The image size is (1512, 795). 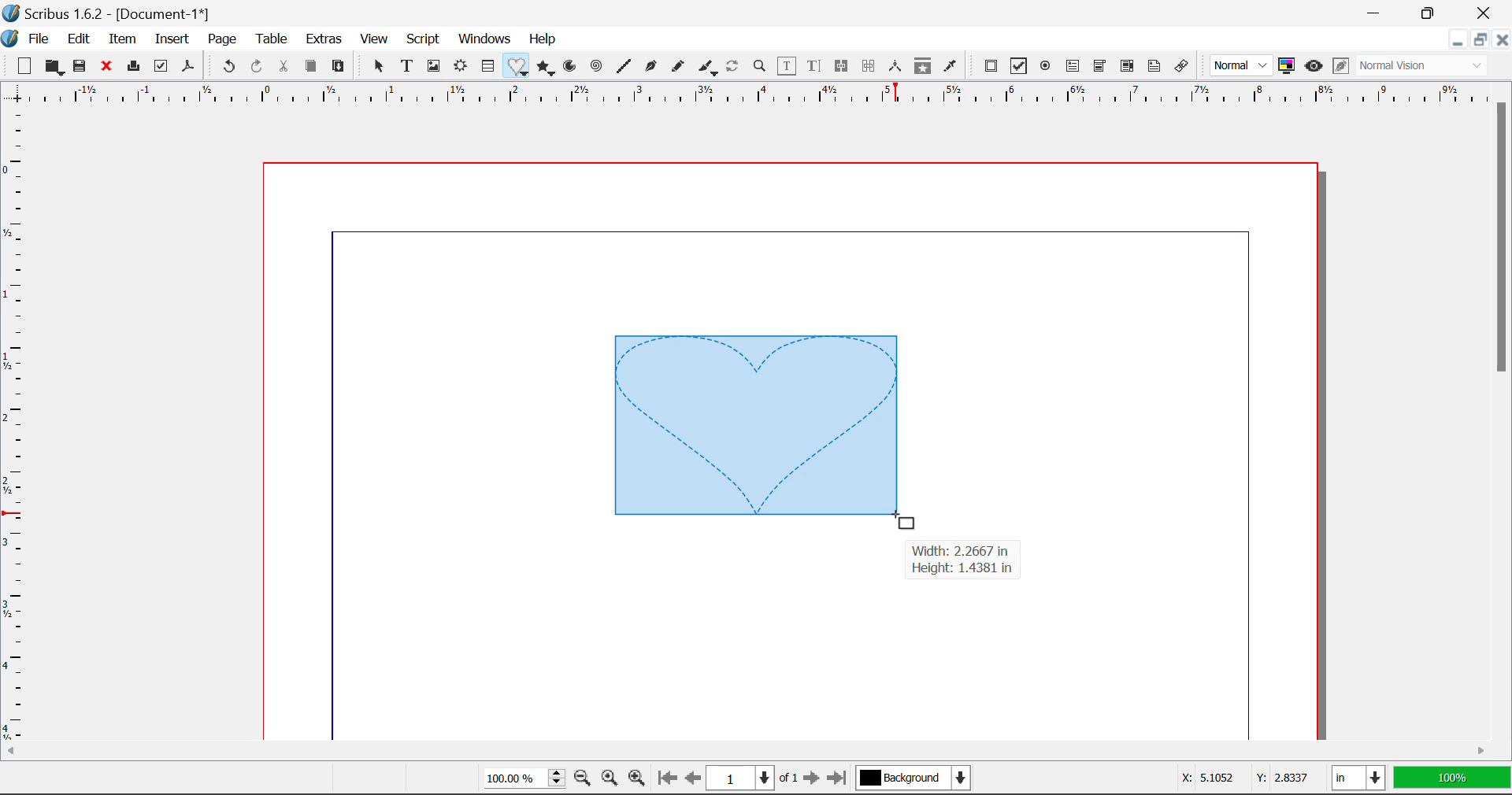 I want to click on Pdf Text Field, so click(x=1073, y=68).